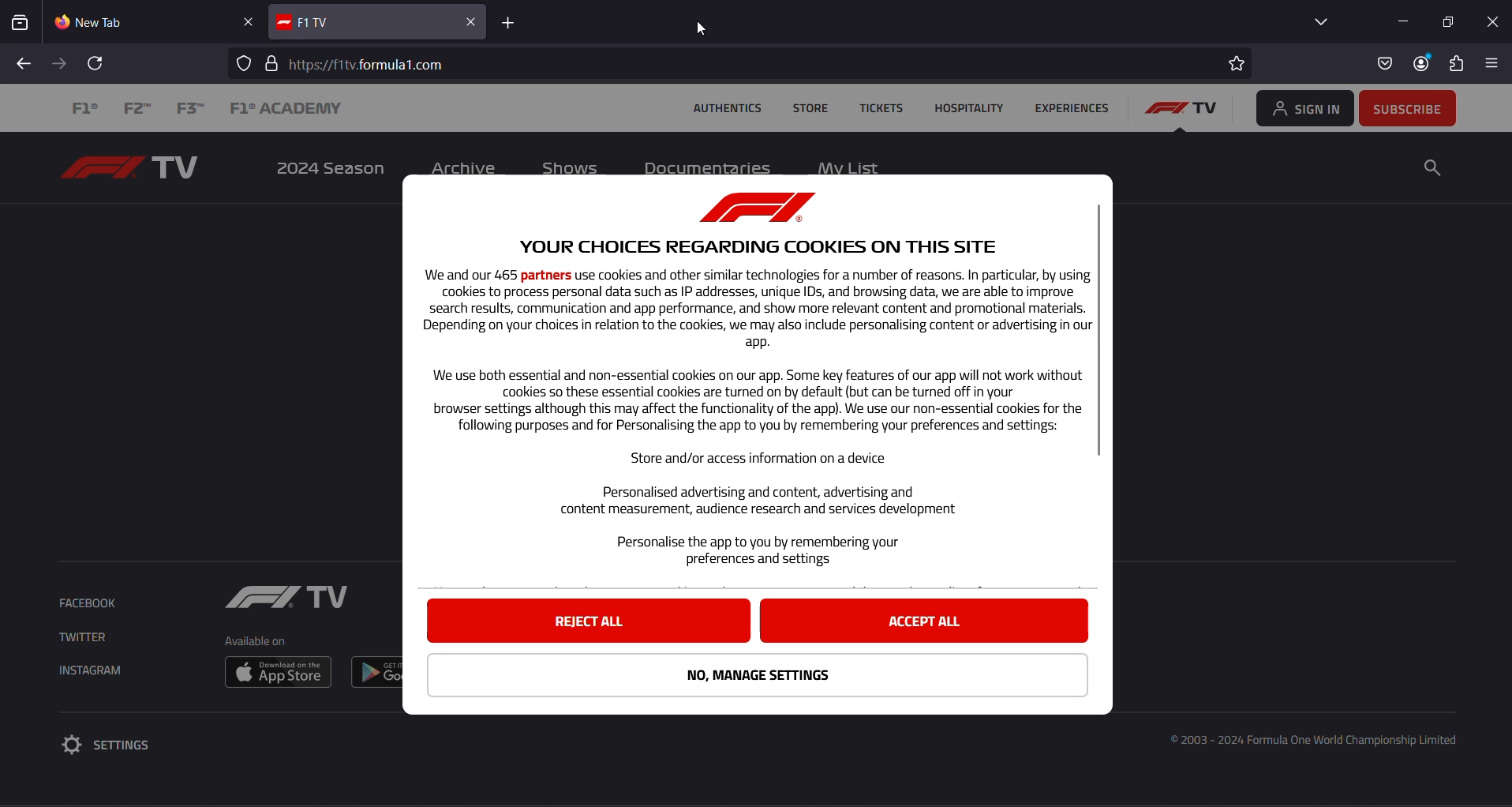  What do you see at coordinates (1100, 330) in the screenshot?
I see `scroll bar` at bounding box center [1100, 330].